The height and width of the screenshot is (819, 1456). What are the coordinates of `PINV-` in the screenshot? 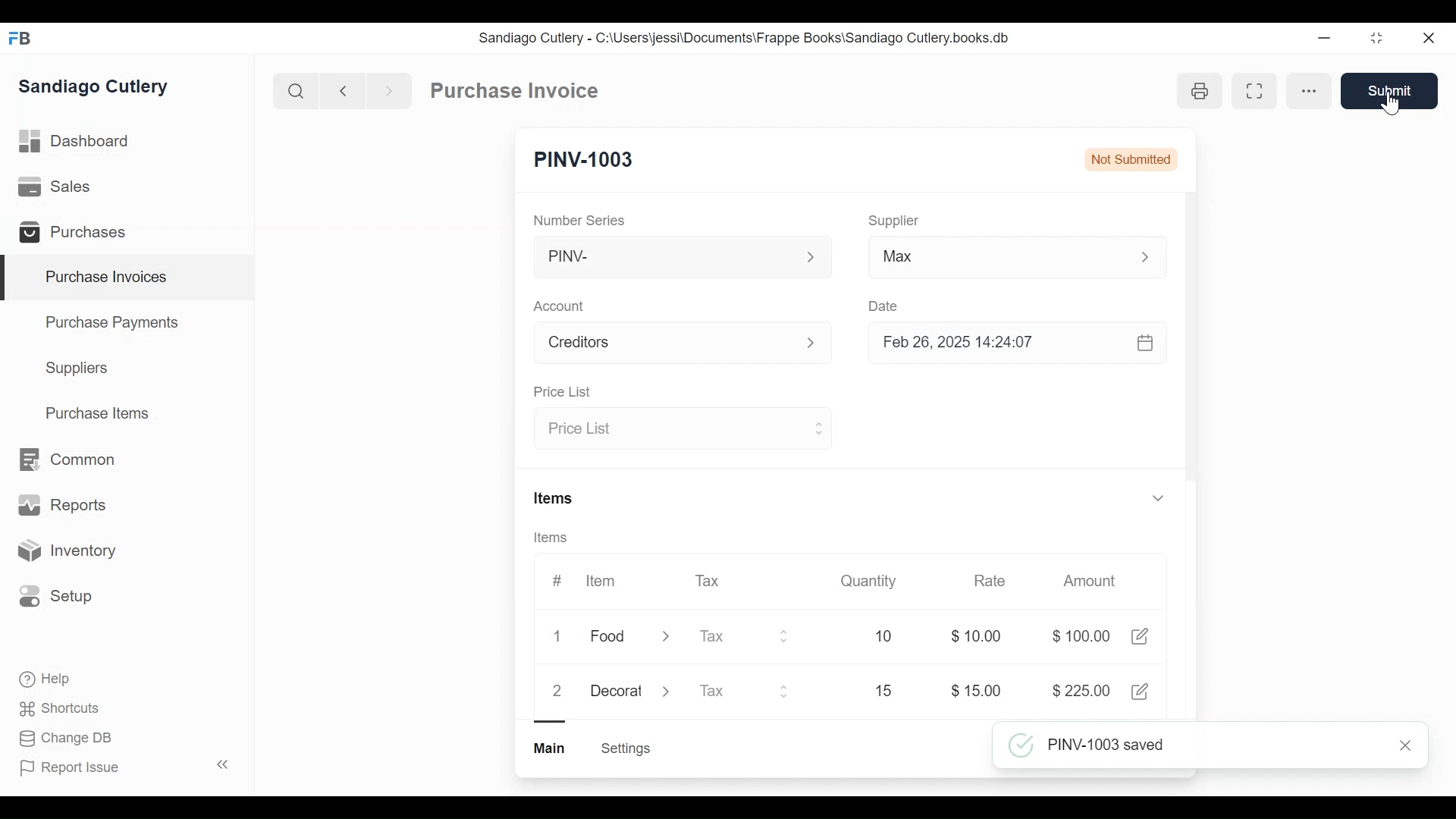 It's located at (664, 257).